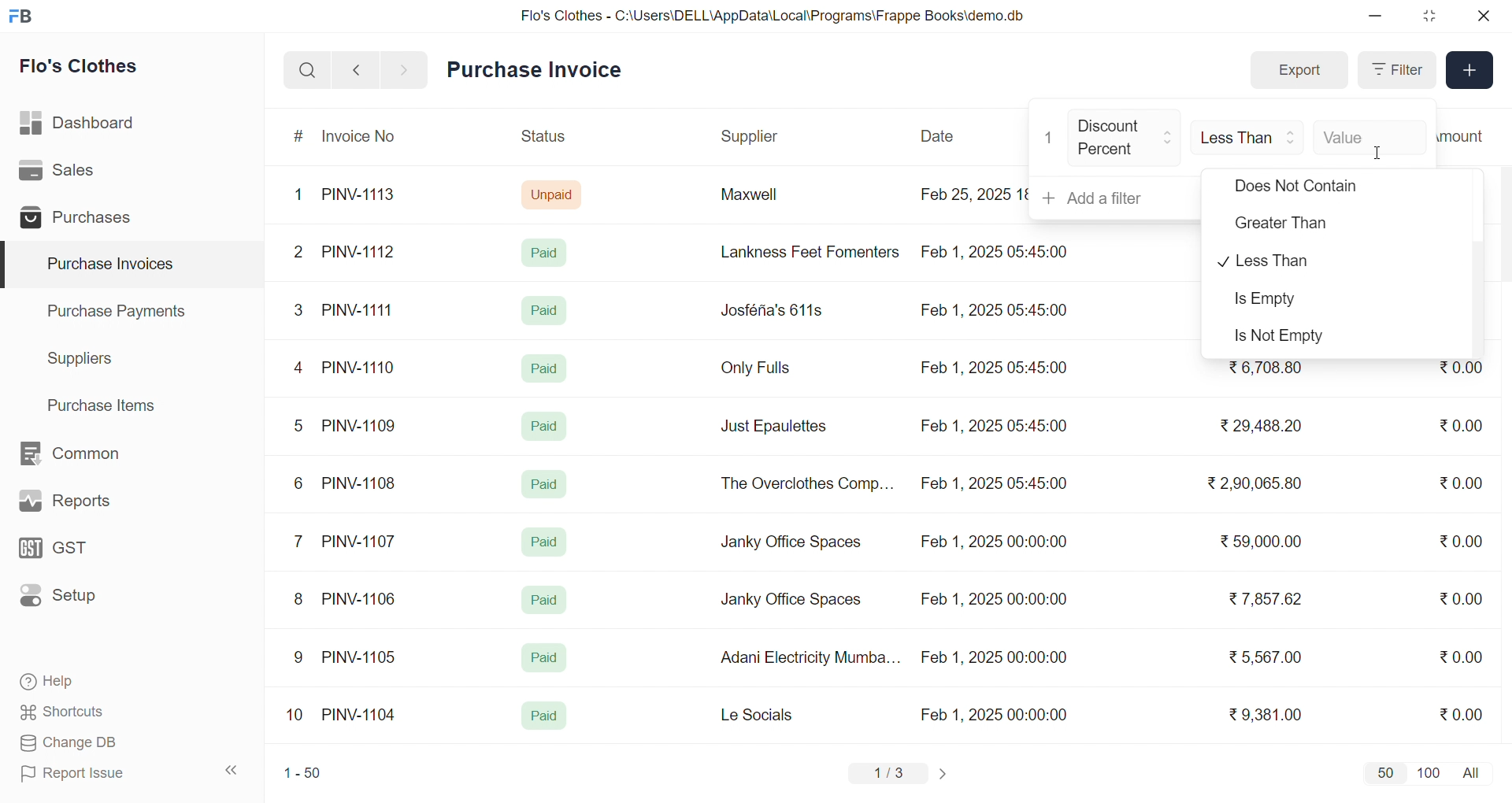 The width and height of the screenshot is (1512, 803). What do you see at coordinates (81, 220) in the screenshot?
I see `Purchases` at bounding box center [81, 220].